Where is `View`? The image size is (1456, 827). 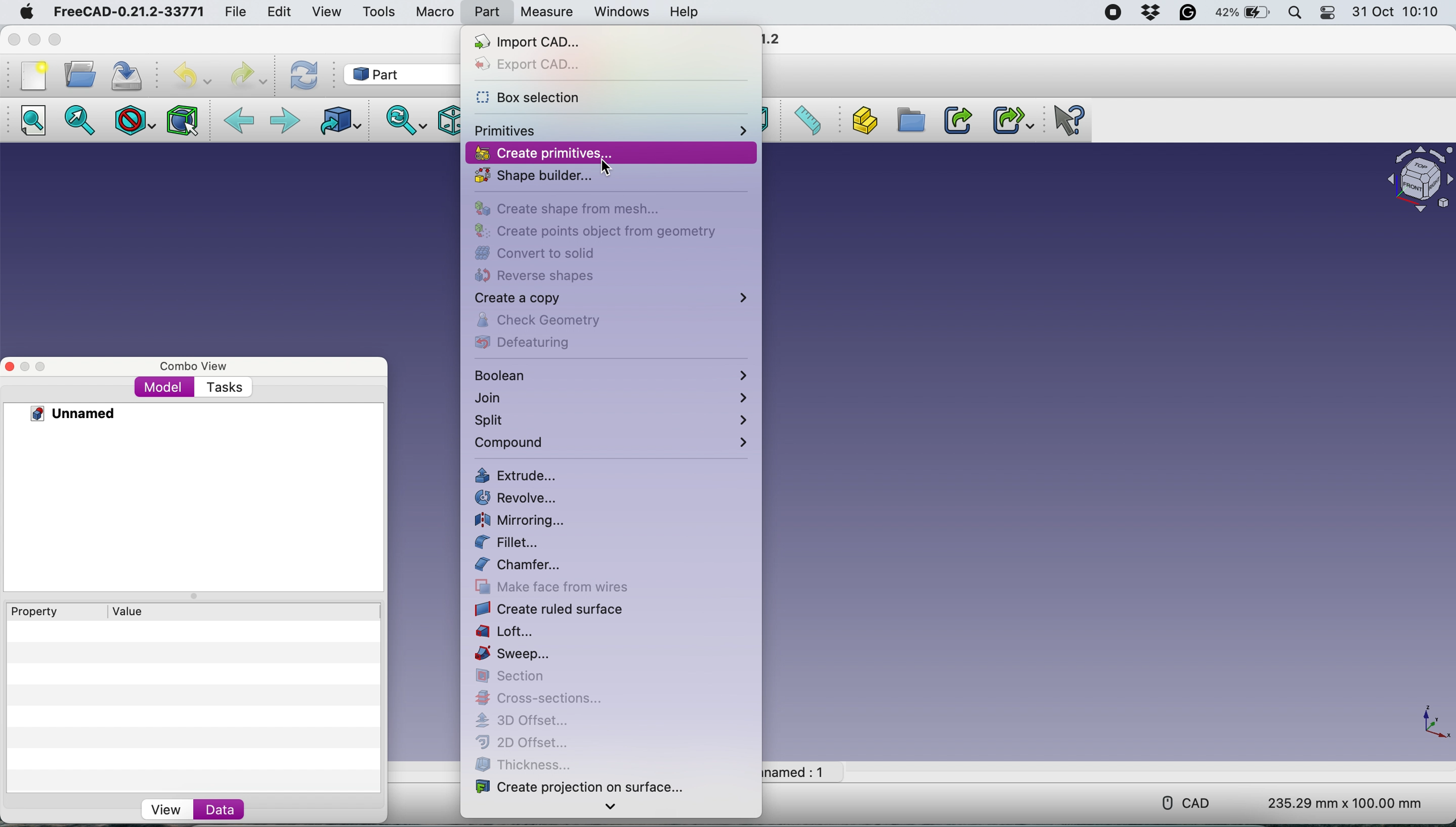 View is located at coordinates (165, 811).